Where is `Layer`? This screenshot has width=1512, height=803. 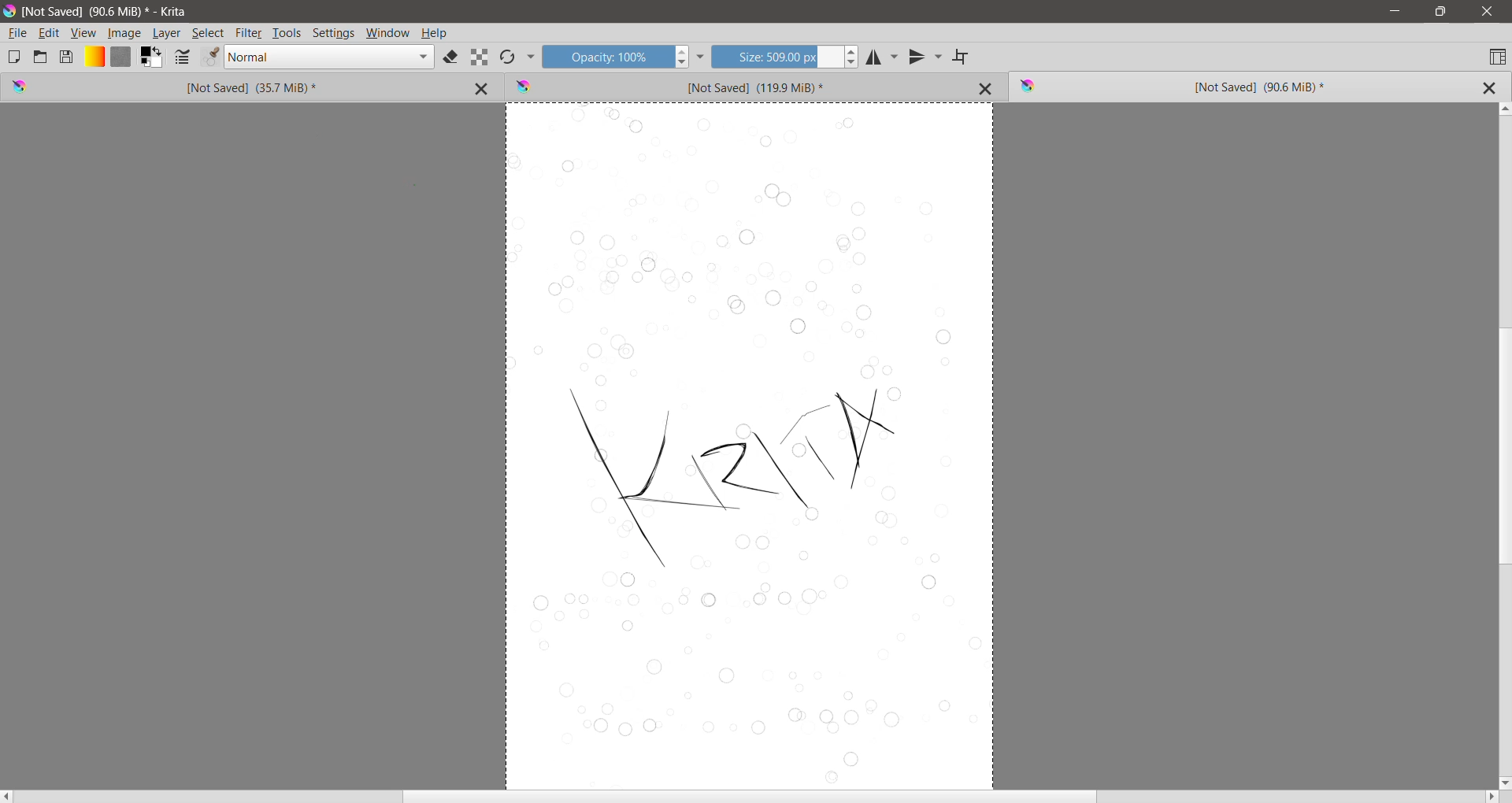
Layer is located at coordinates (168, 33).